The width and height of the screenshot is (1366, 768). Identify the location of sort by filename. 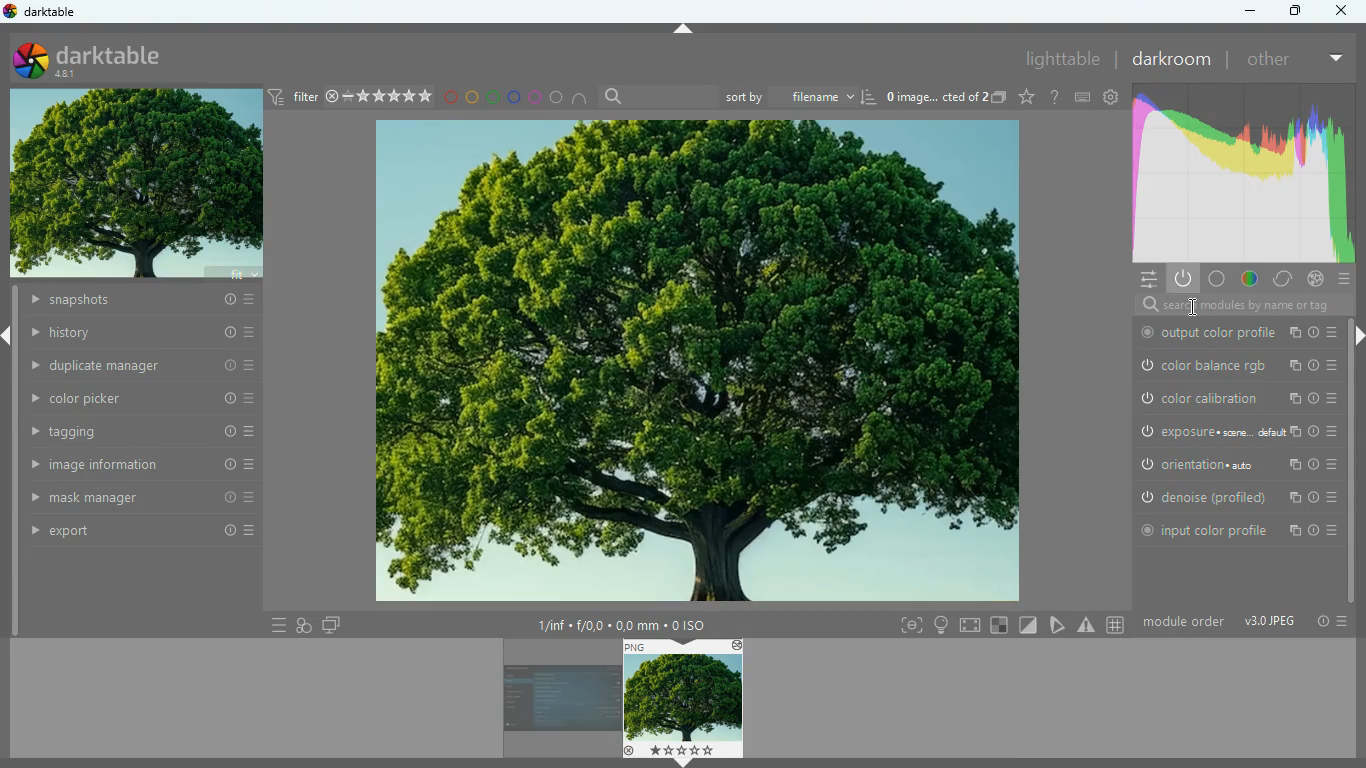
(801, 98).